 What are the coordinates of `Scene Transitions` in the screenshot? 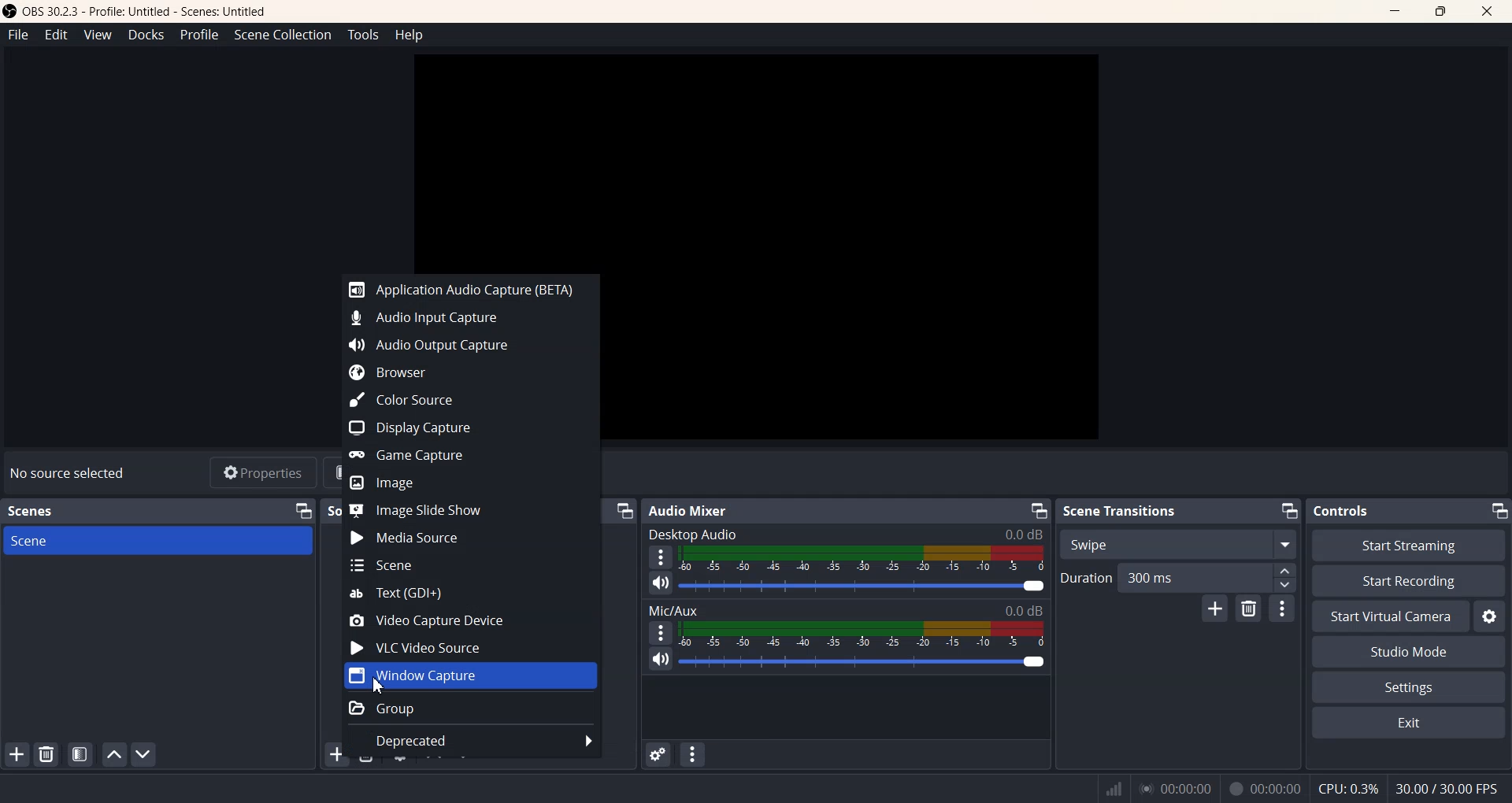 It's located at (1121, 510).